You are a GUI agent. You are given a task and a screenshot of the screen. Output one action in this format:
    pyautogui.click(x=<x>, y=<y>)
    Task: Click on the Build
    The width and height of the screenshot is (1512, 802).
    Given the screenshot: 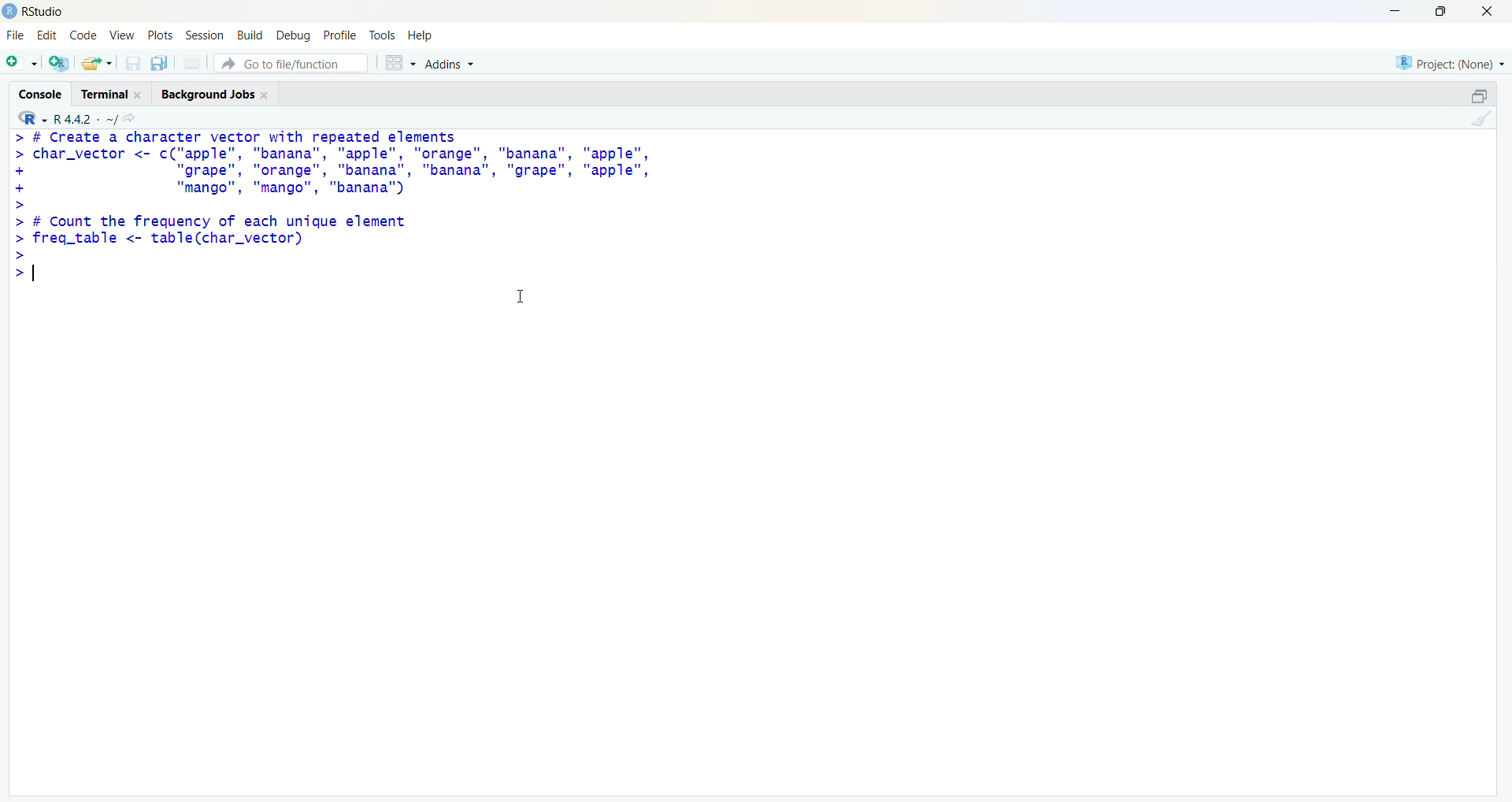 What is the action you would take?
    pyautogui.click(x=251, y=37)
    